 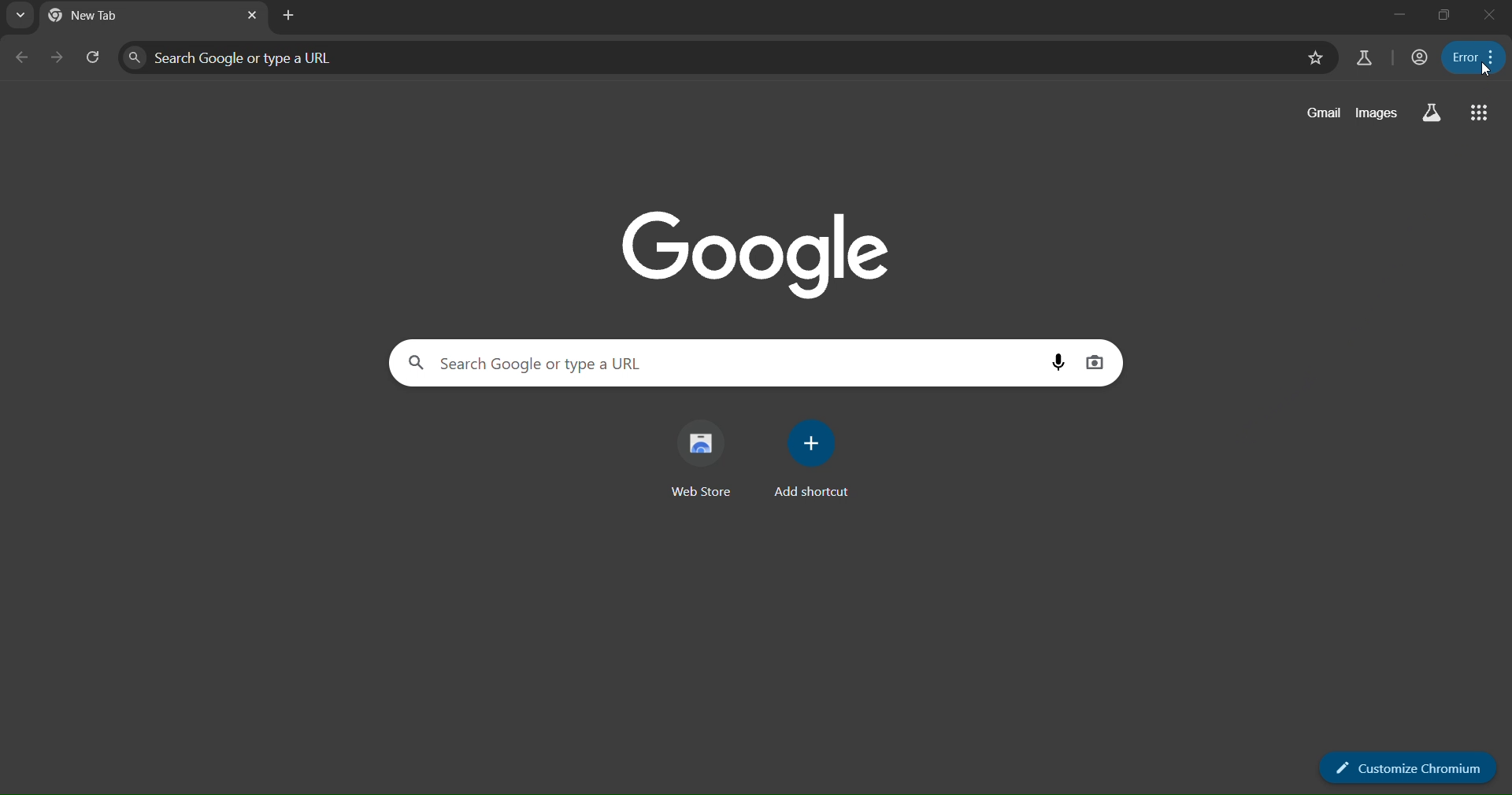 I want to click on go back one page, so click(x=22, y=58).